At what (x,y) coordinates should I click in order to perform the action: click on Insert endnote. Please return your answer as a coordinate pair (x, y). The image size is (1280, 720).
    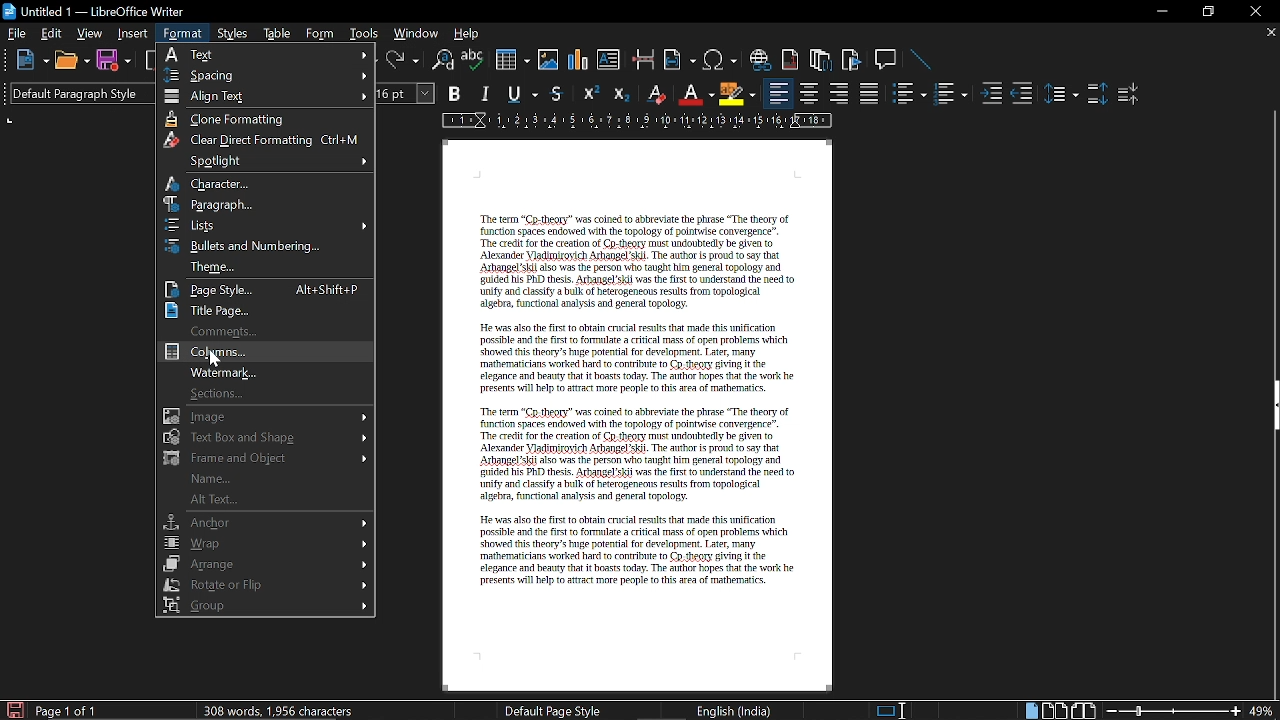
    Looking at the image, I should click on (790, 59).